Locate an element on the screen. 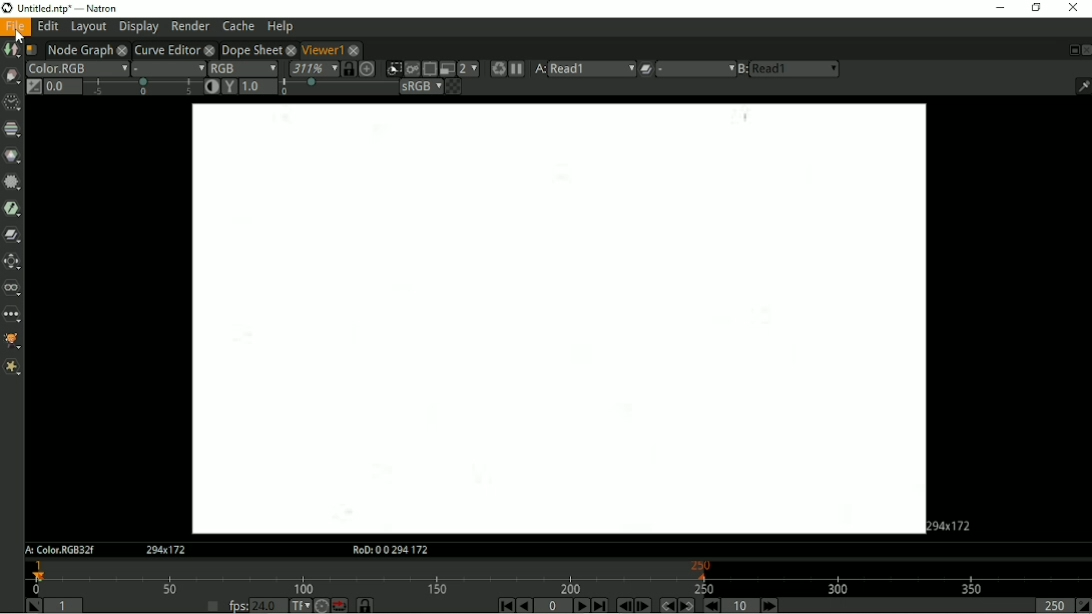  Project is located at coordinates (555, 319).